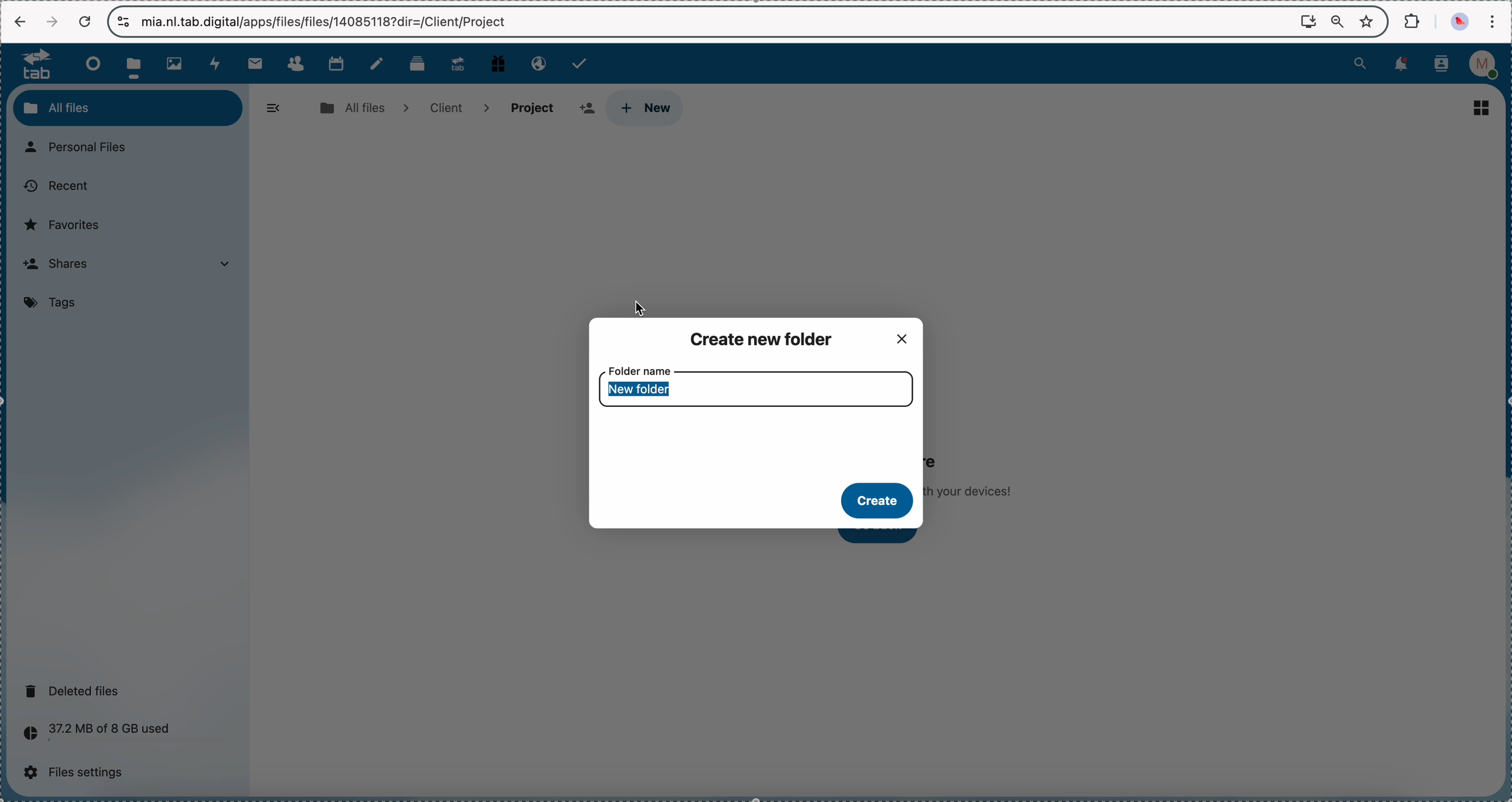 Image resolution: width=1512 pixels, height=802 pixels. I want to click on personal files, so click(82, 148).